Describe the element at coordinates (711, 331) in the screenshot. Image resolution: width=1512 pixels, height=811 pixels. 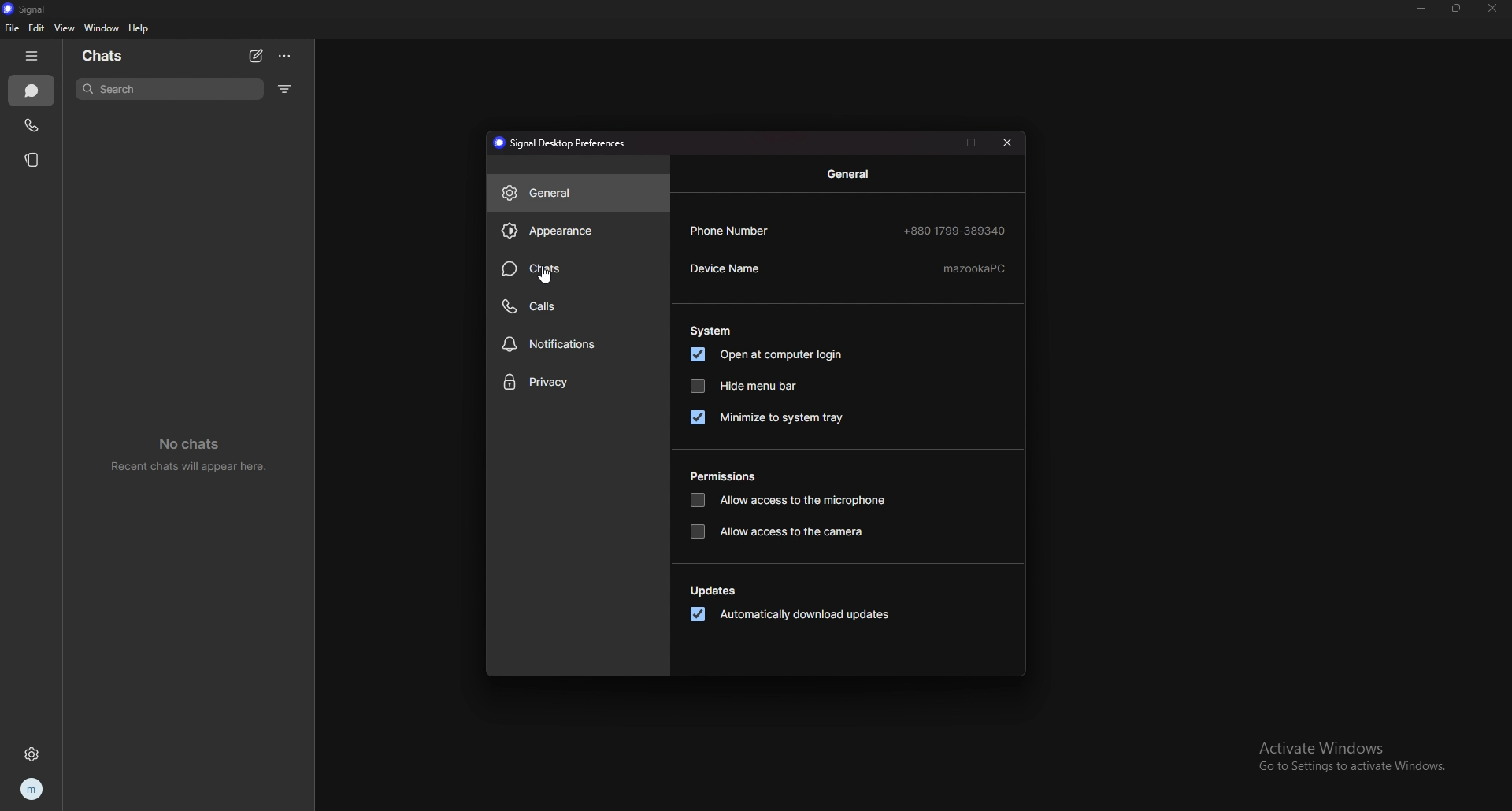
I see `system` at that location.